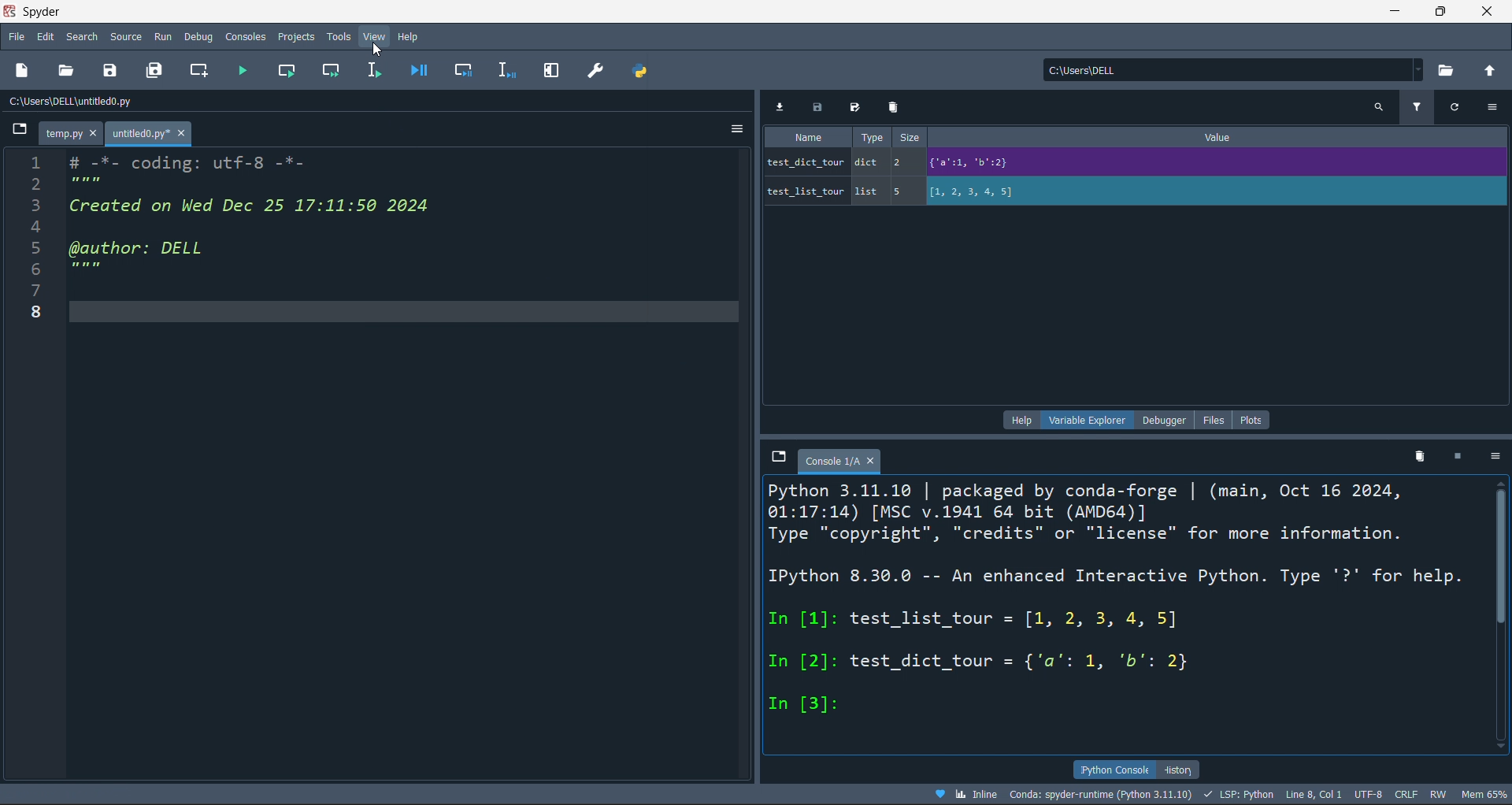 This screenshot has width=1512, height=805. What do you see at coordinates (1444, 12) in the screenshot?
I see `maximiz` at bounding box center [1444, 12].